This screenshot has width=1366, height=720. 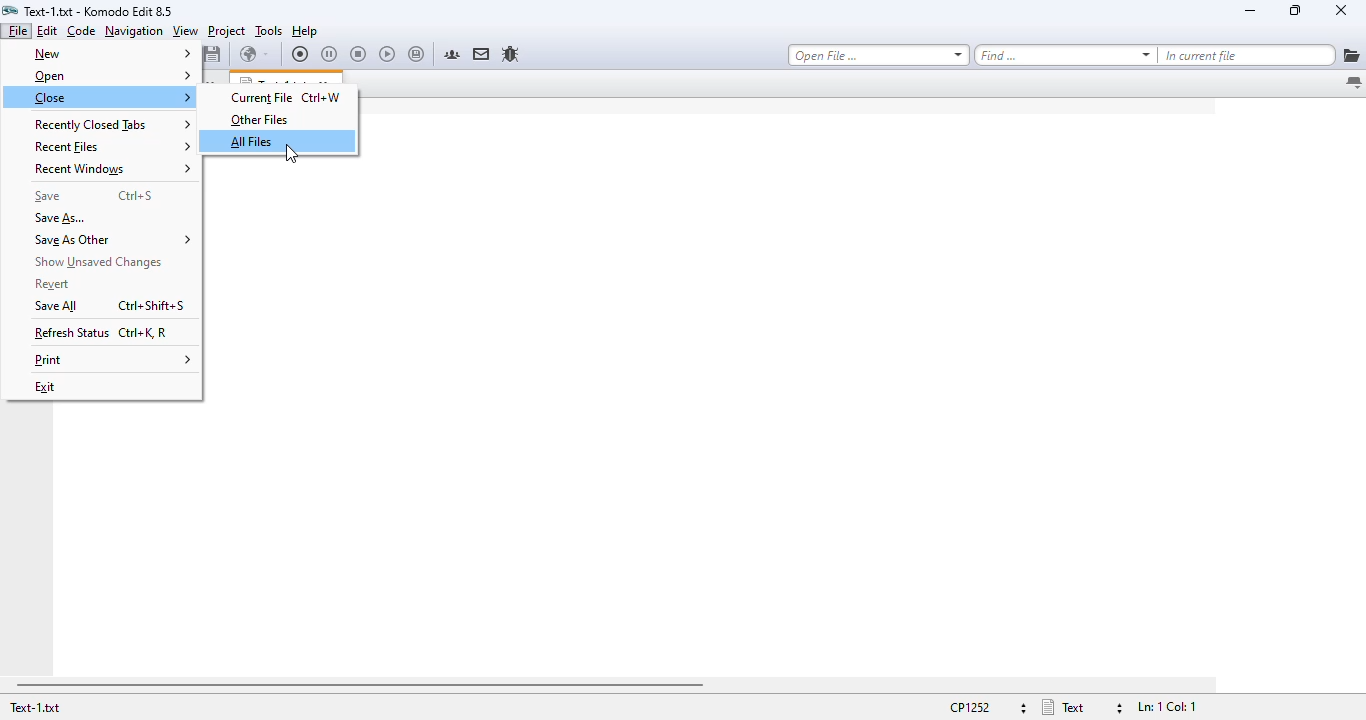 I want to click on new, so click(x=112, y=53).